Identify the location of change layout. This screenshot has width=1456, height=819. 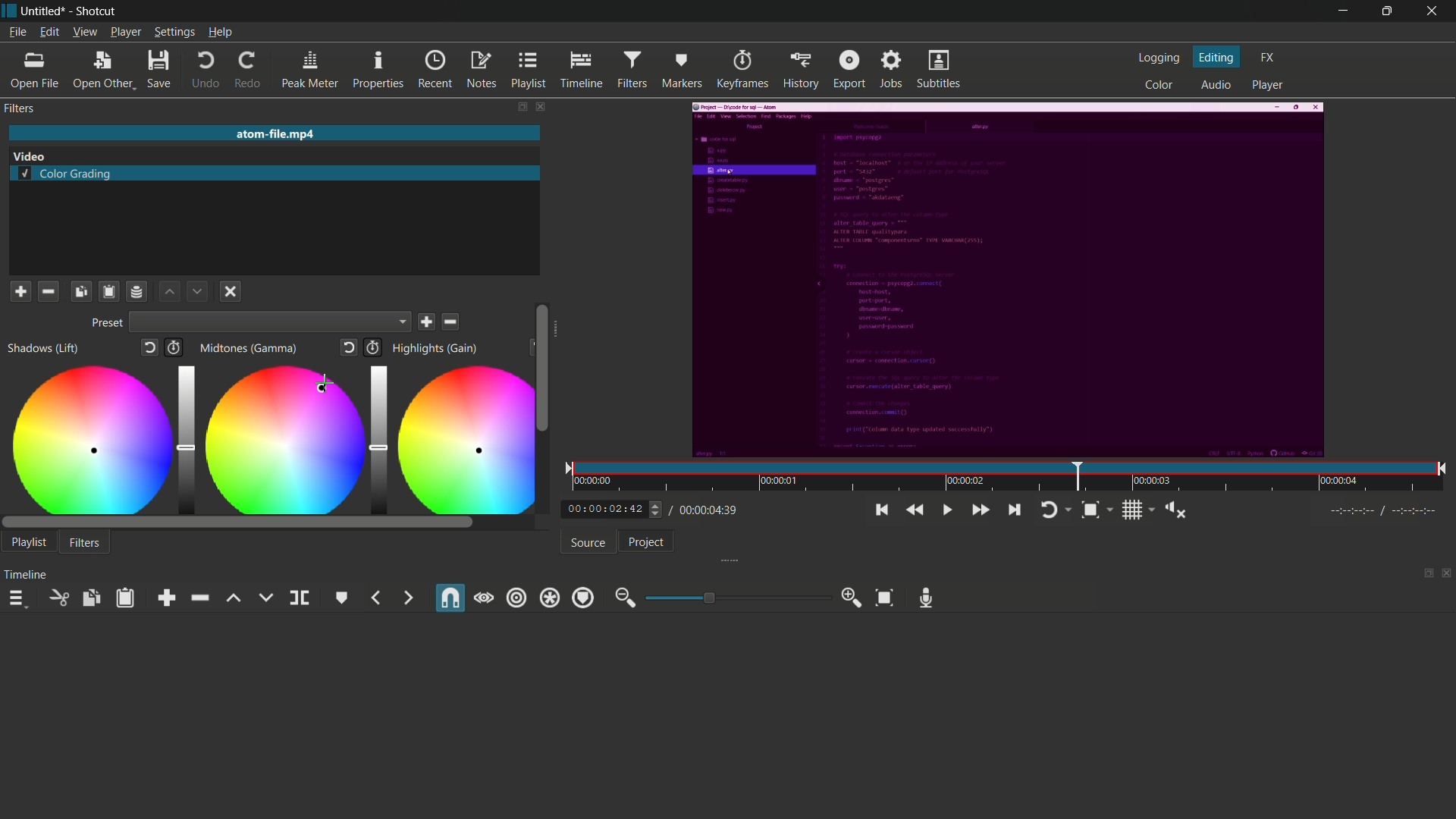
(1423, 574).